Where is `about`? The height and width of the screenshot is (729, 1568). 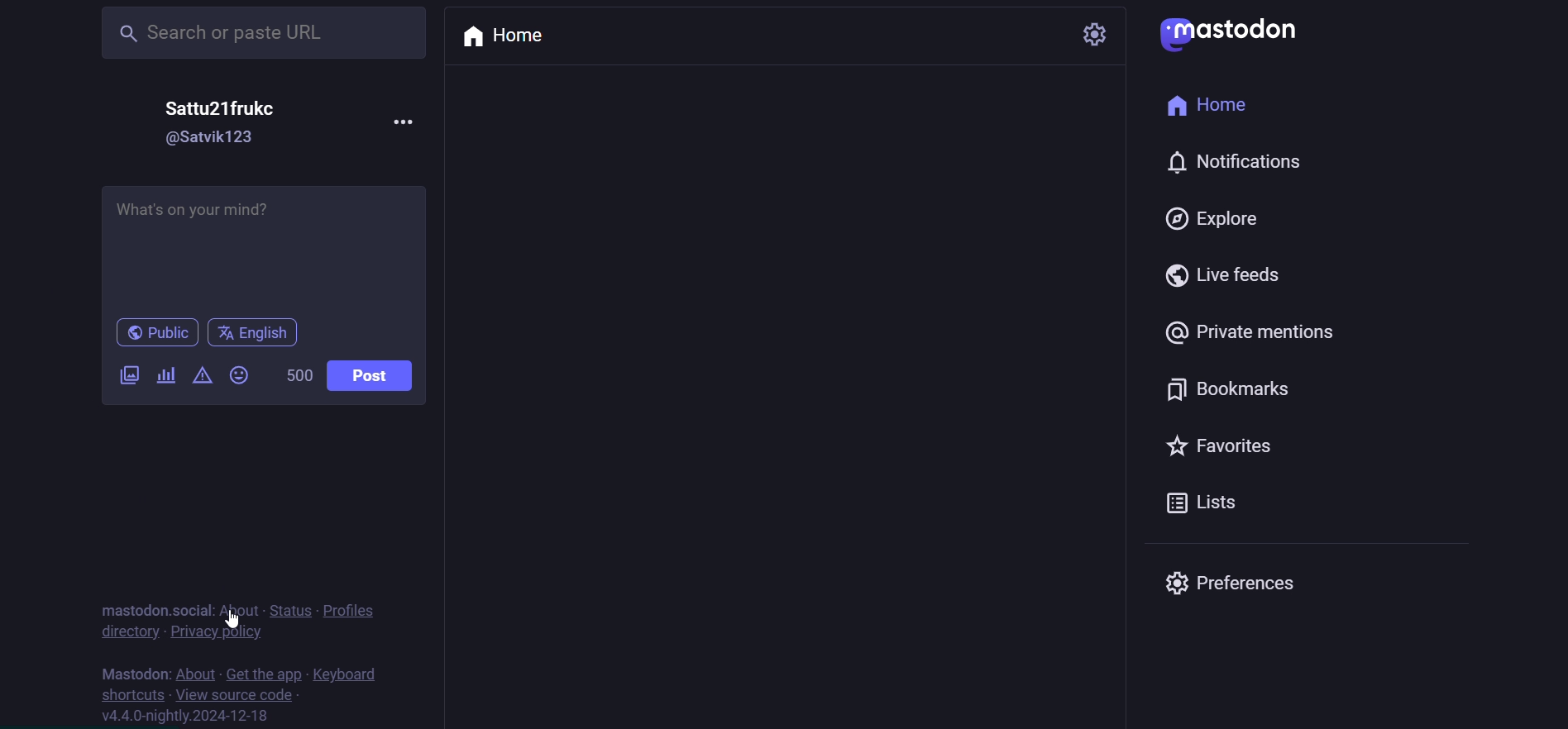 about is located at coordinates (237, 610).